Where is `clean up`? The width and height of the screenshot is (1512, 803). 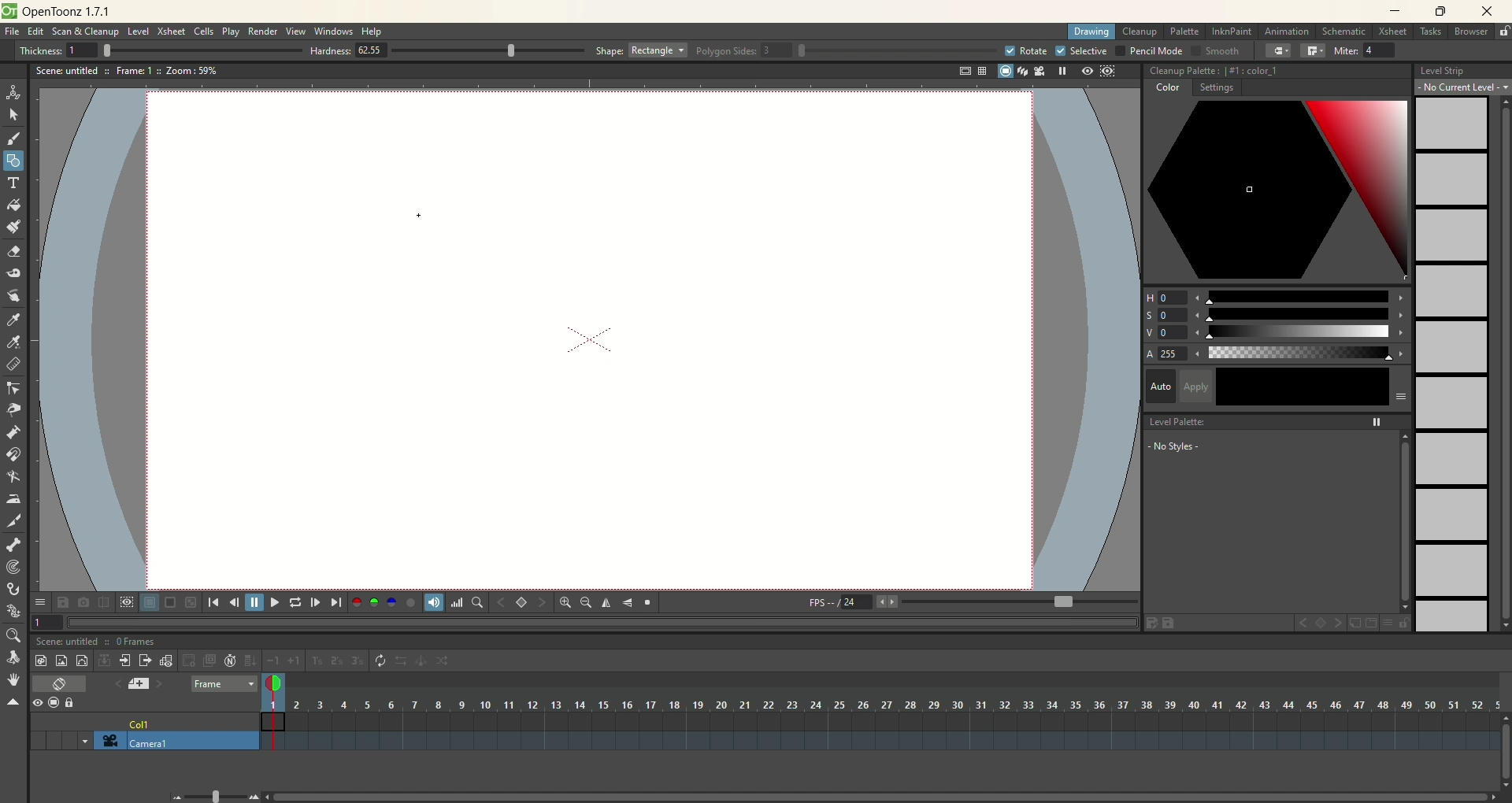 clean up is located at coordinates (1140, 32).